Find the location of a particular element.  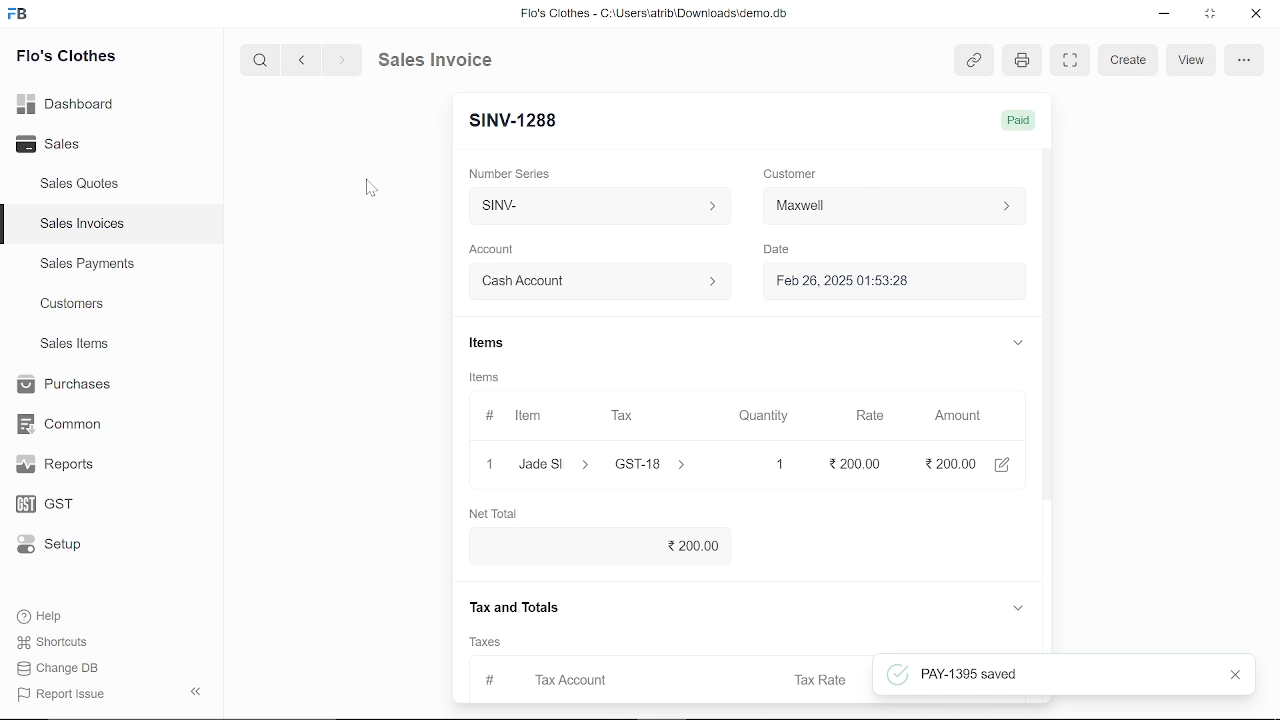

Sales Items is located at coordinates (74, 346).